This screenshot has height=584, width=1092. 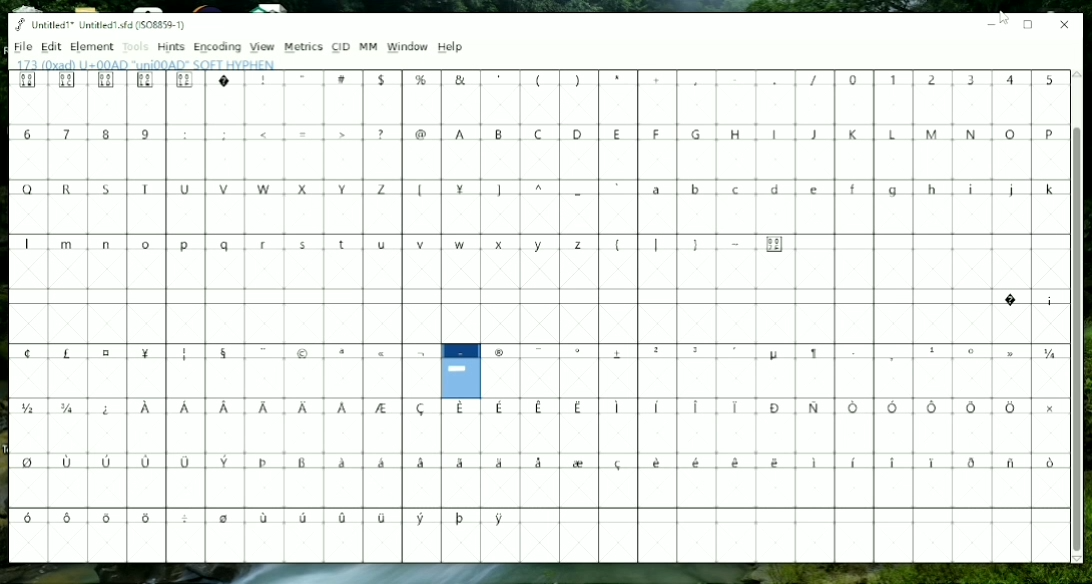 What do you see at coordinates (561, 190) in the screenshot?
I see `Symbols` at bounding box center [561, 190].